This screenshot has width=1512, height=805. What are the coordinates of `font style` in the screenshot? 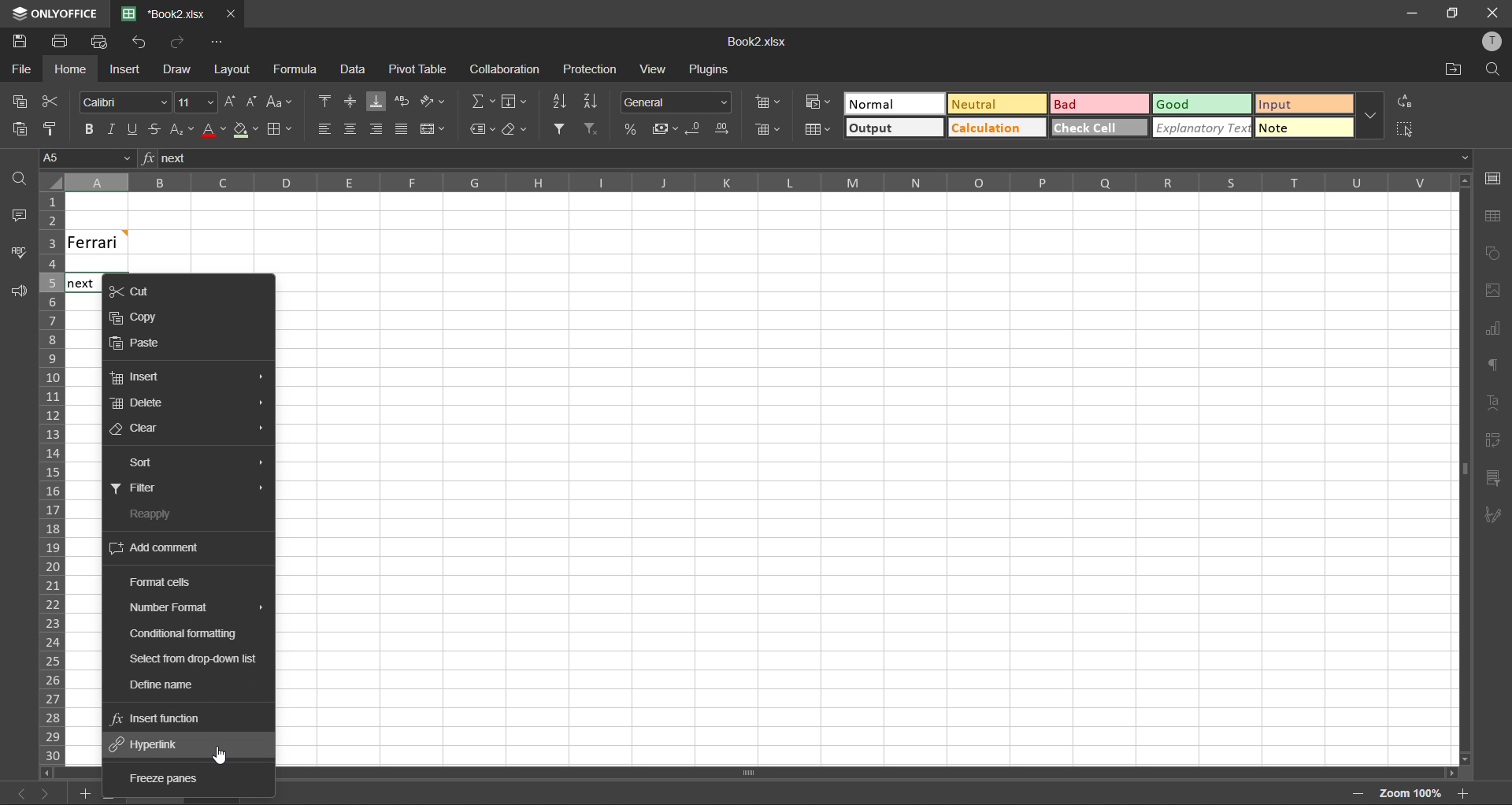 It's located at (127, 103).